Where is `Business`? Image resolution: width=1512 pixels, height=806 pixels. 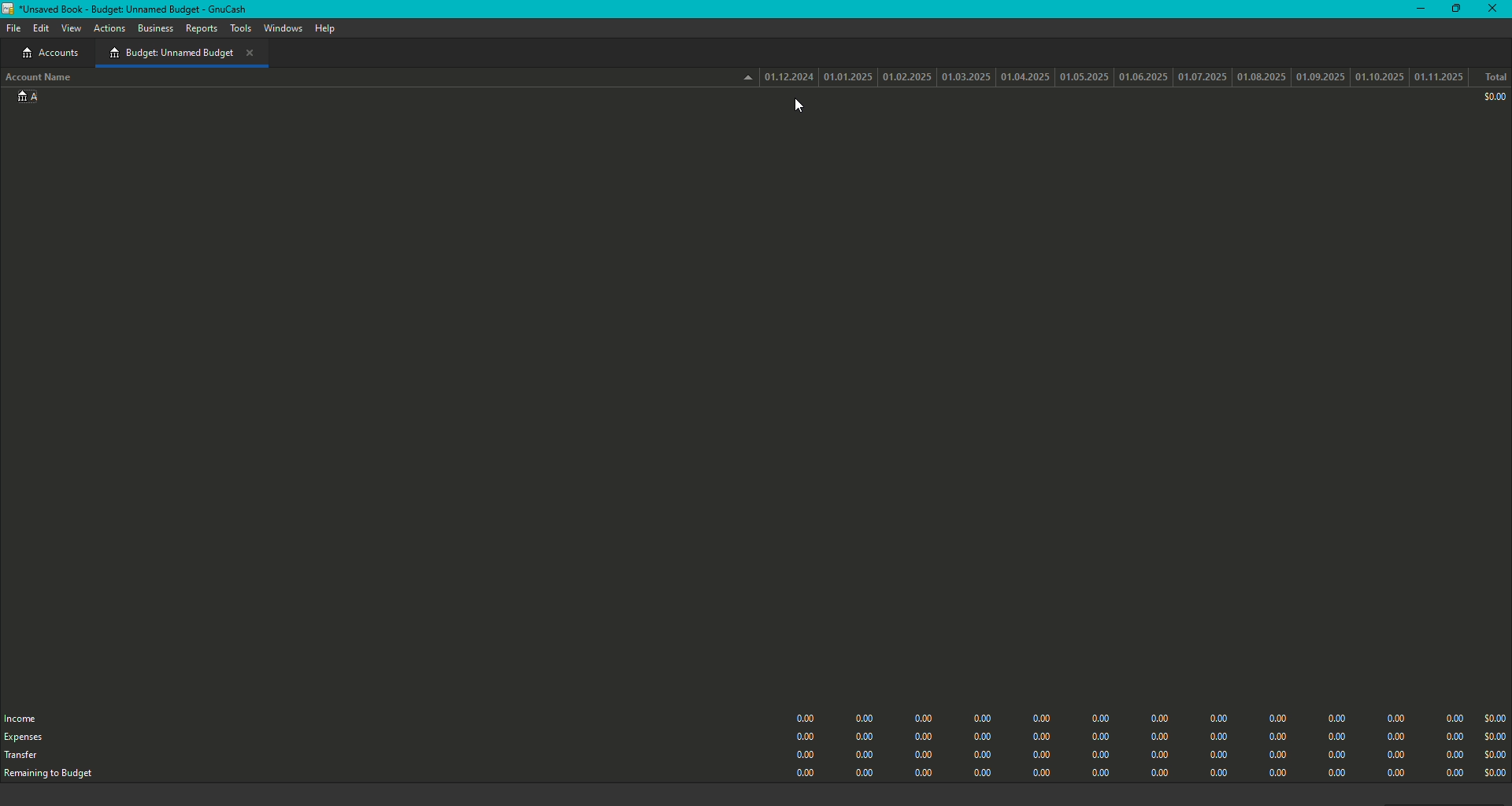
Business is located at coordinates (155, 28).